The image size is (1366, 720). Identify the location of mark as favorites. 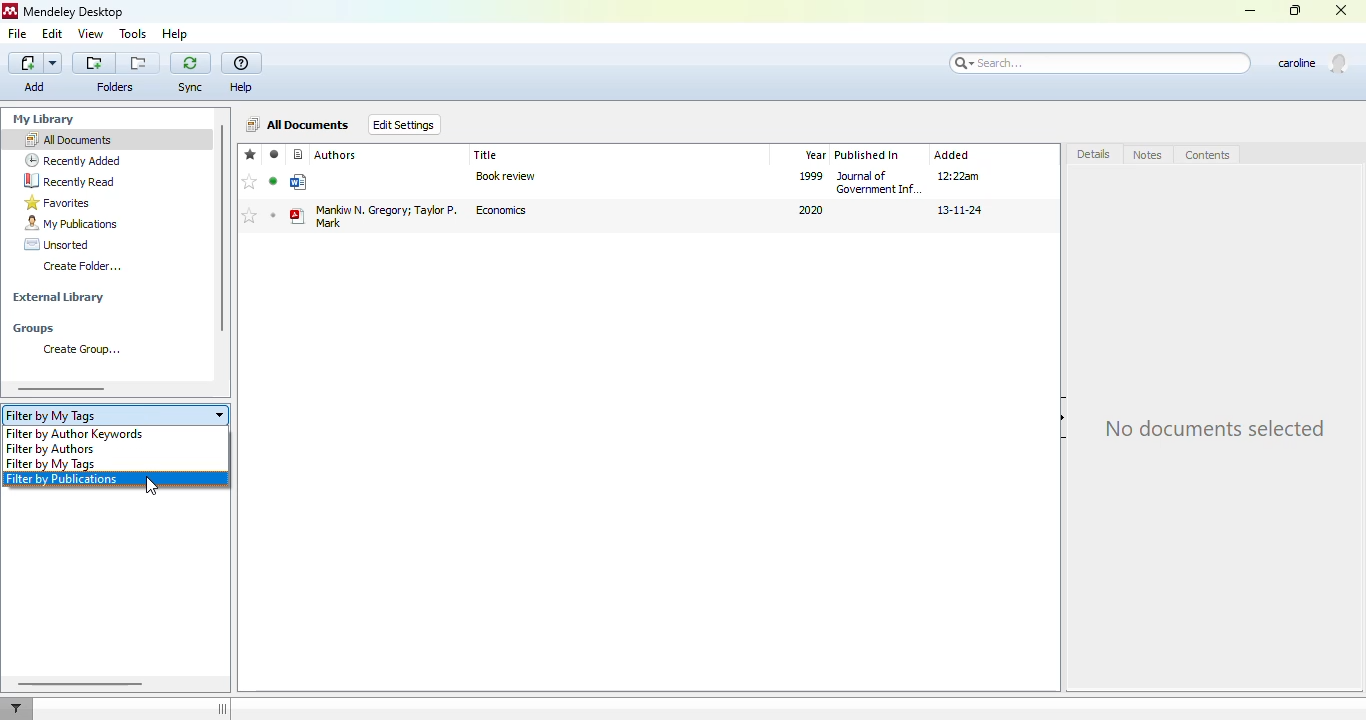
(250, 216).